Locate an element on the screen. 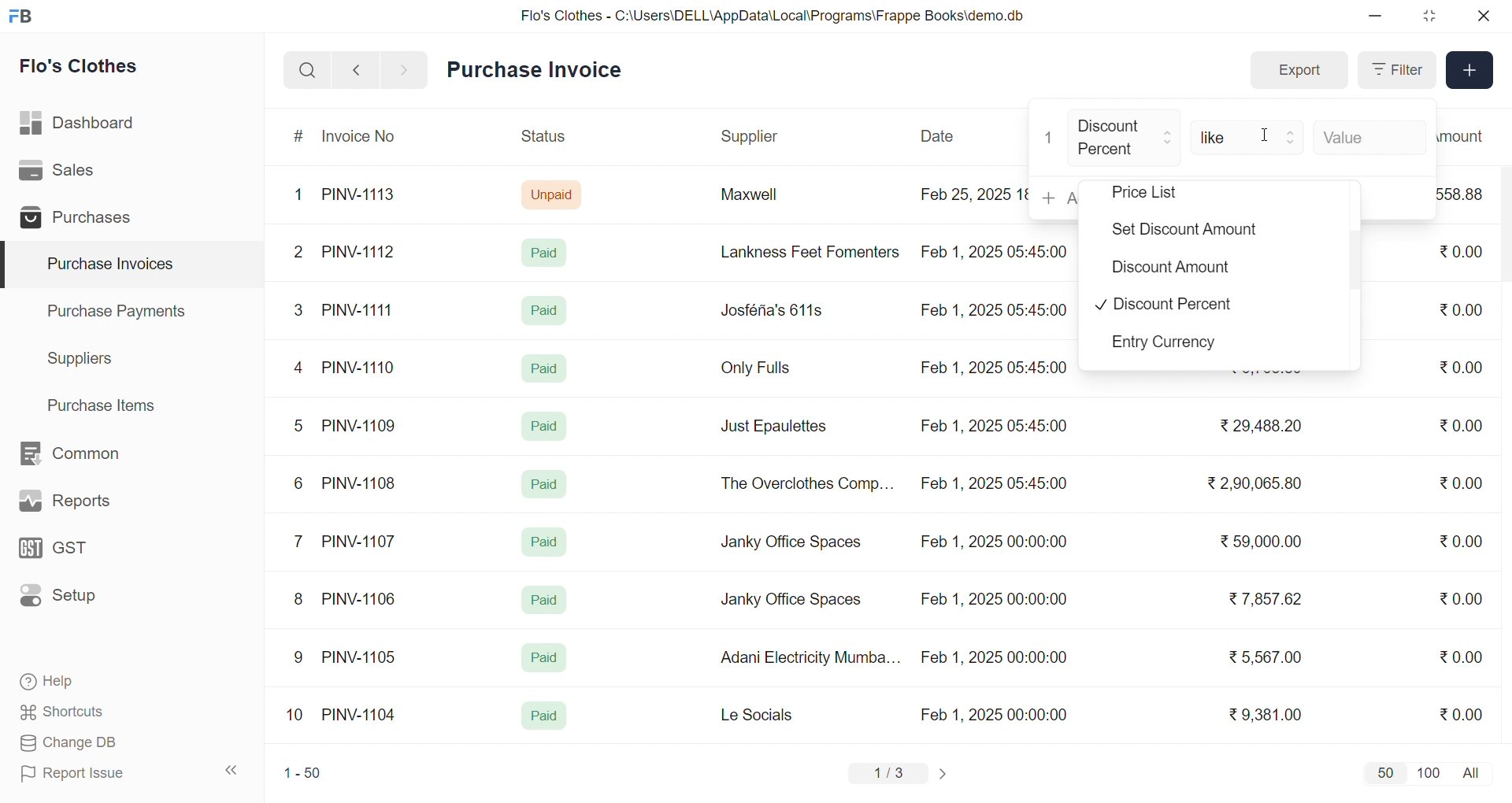 Image resolution: width=1512 pixels, height=803 pixels. Discount Percent is located at coordinates (1125, 139).